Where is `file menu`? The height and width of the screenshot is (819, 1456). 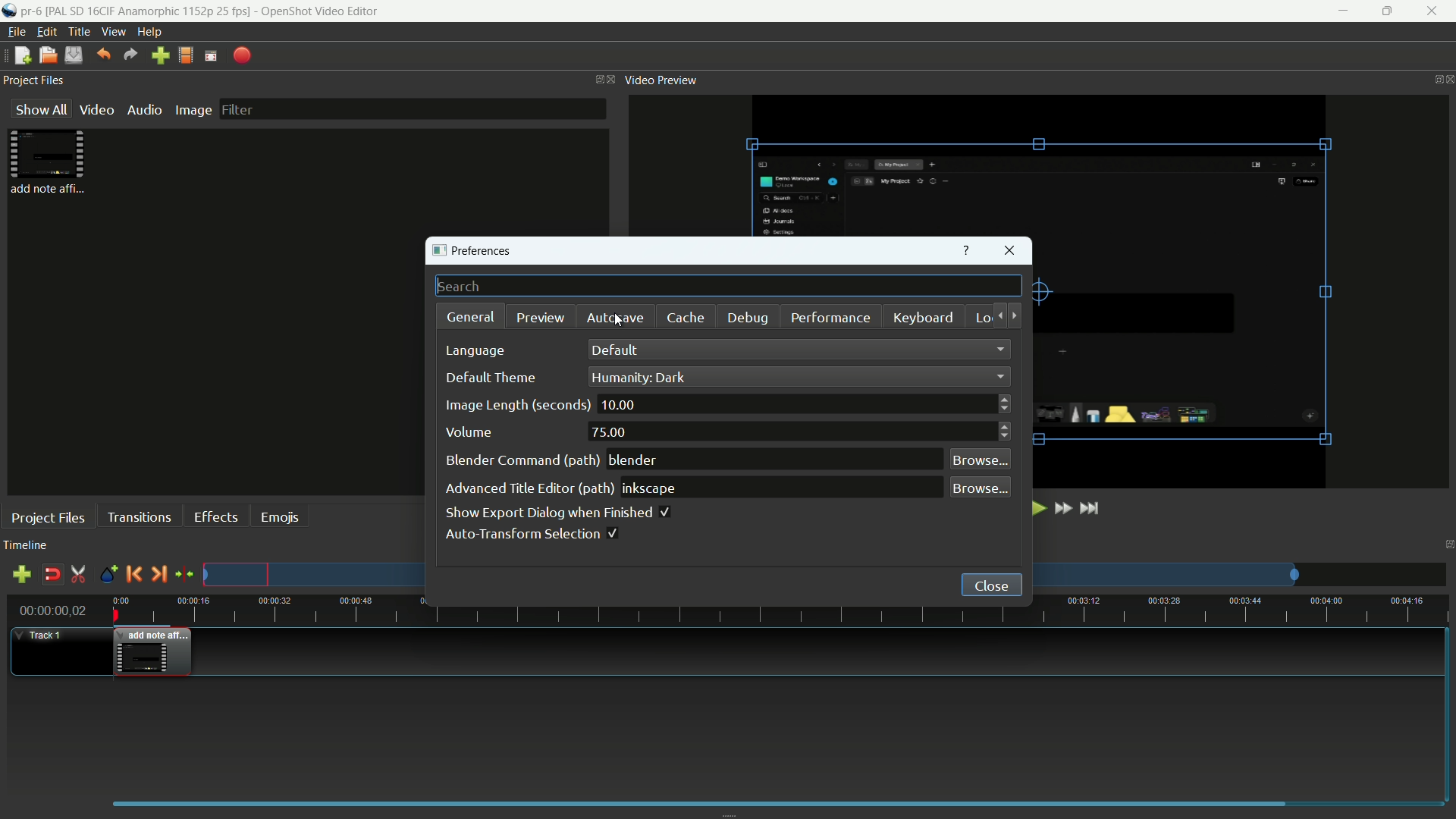
file menu is located at coordinates (13, 33).